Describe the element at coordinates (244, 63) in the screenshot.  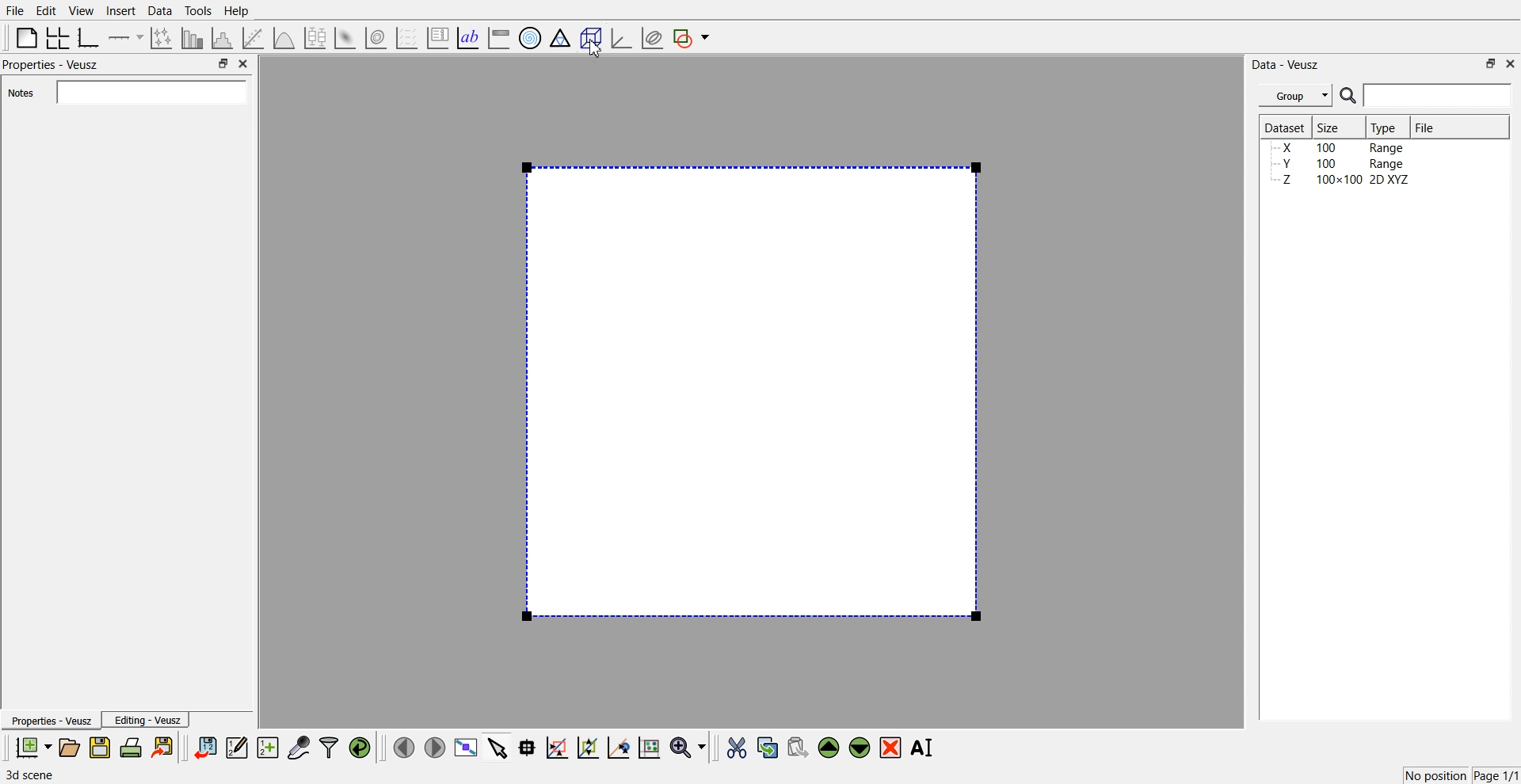
I see `Close` at that location.